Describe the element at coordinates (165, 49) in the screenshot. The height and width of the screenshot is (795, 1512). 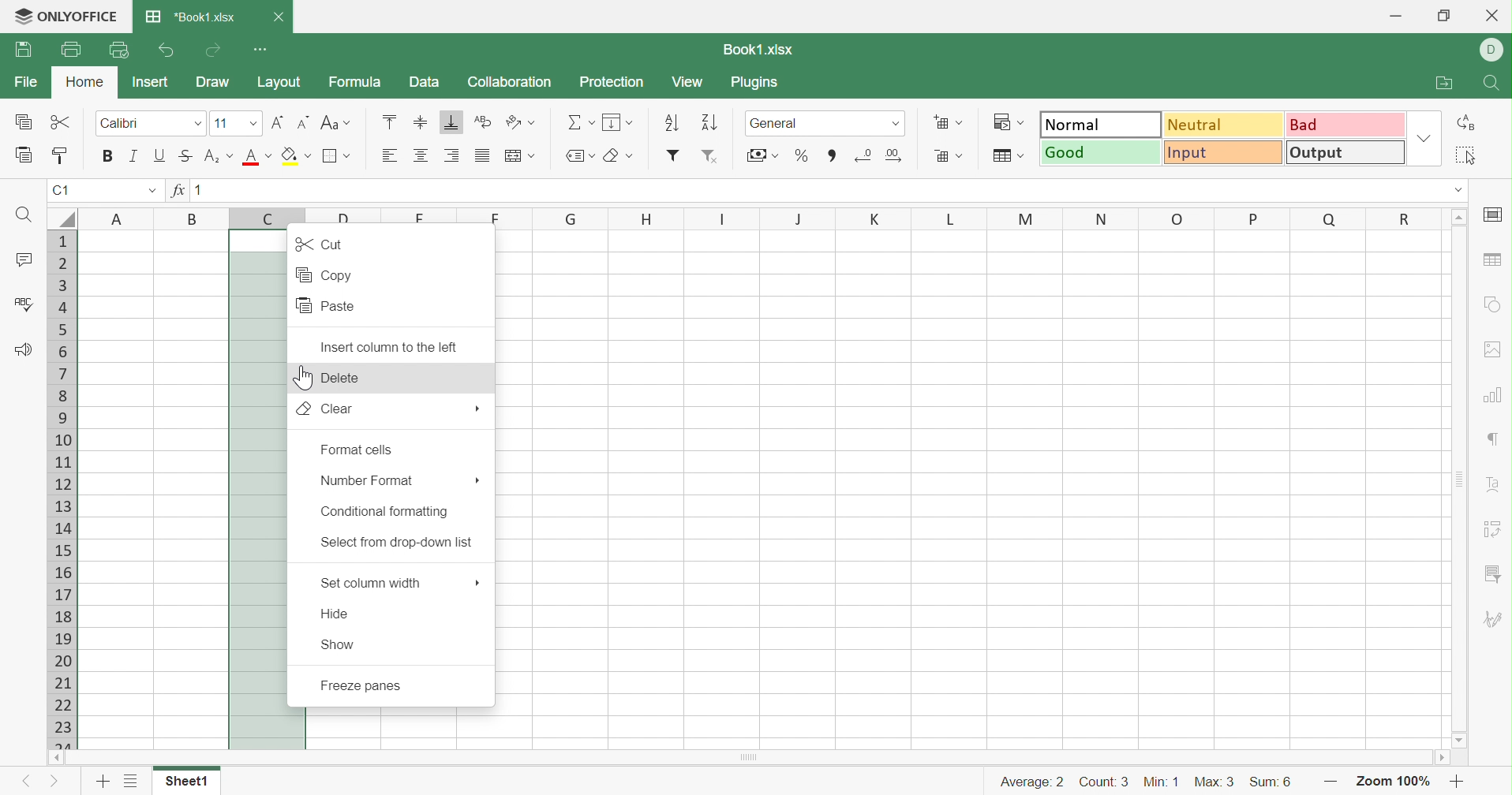
I see `Undo` at that location.